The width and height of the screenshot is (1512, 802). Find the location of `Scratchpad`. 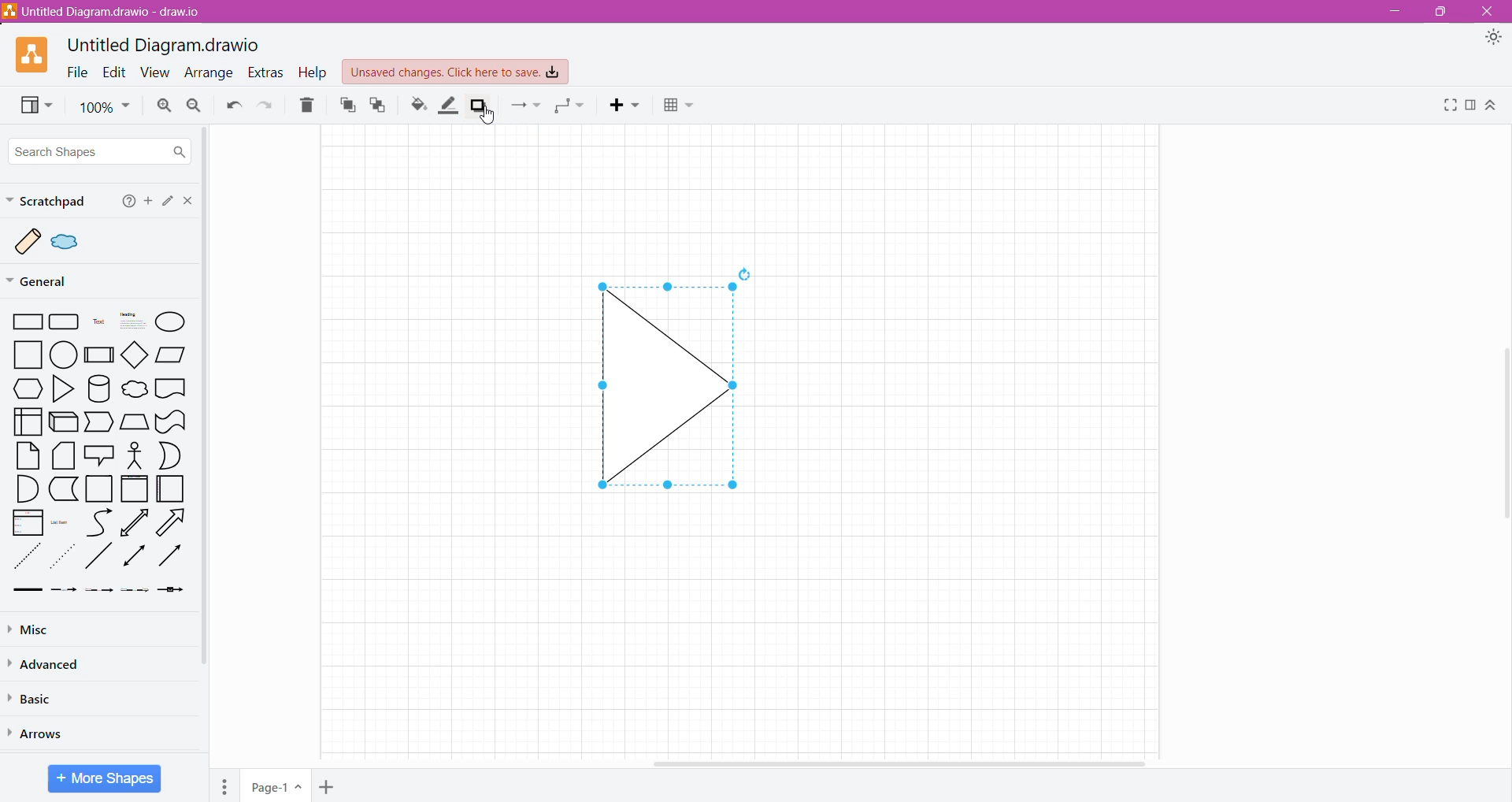

Scratchpad is located at coordinates (47, 200).